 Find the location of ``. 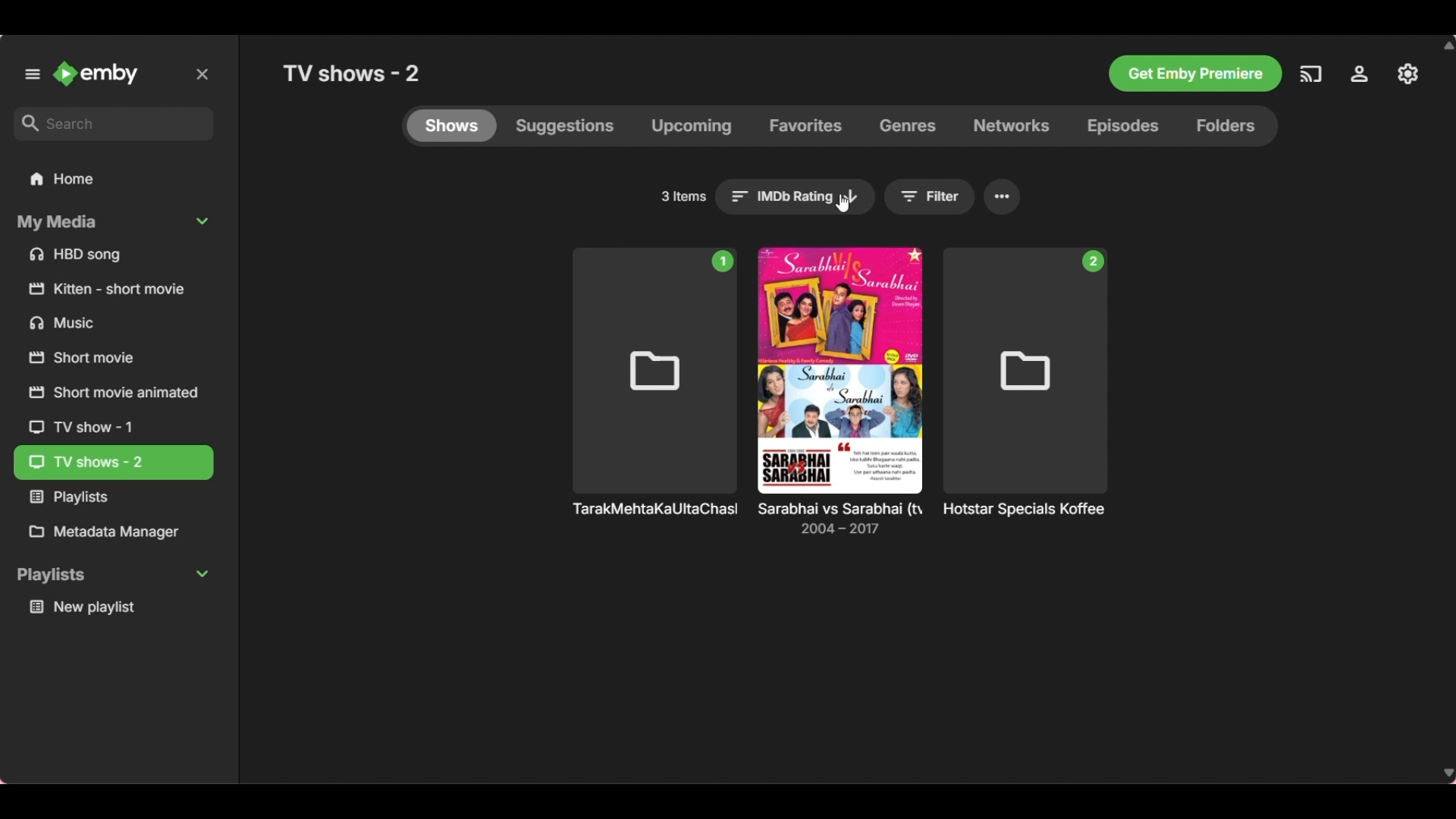

 is located at coordinates (843, 523).